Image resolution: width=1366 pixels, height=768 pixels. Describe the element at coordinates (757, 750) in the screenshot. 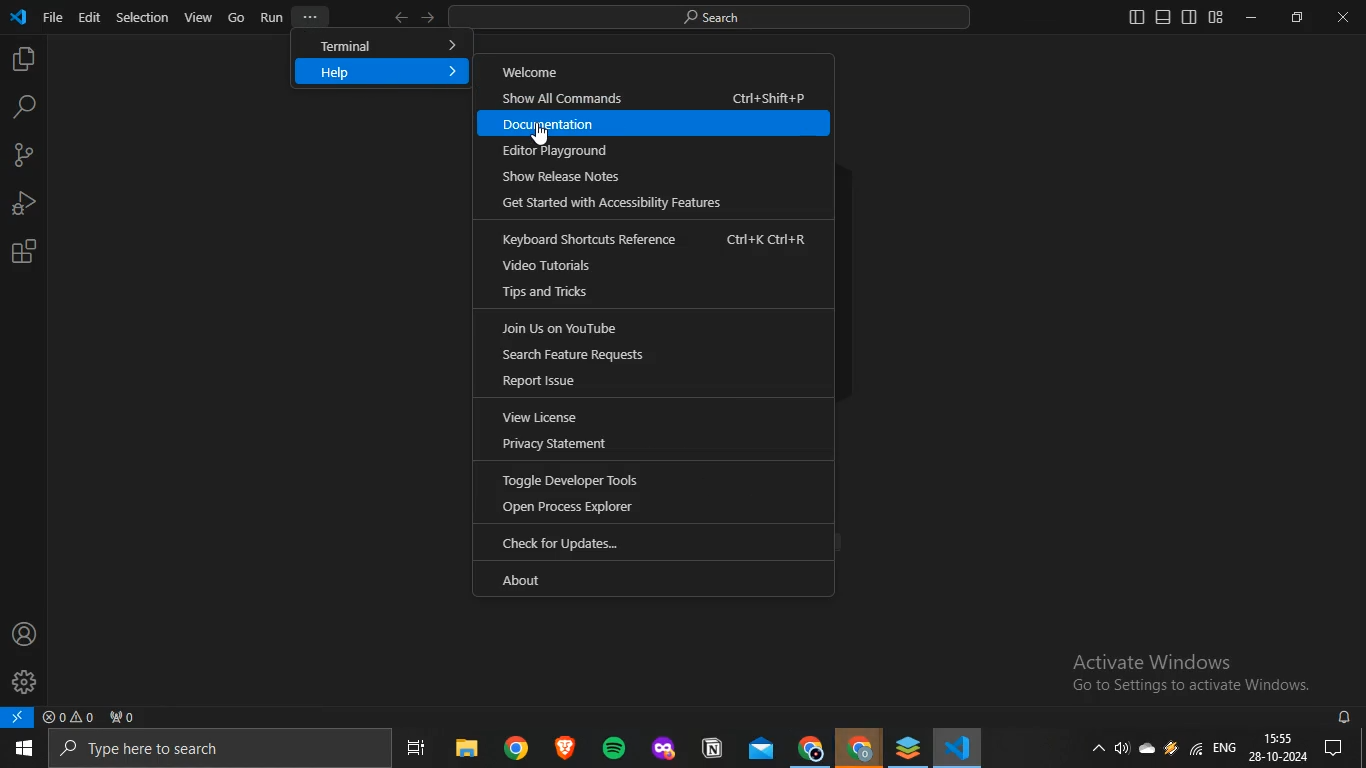

I see `outlook` at that location.